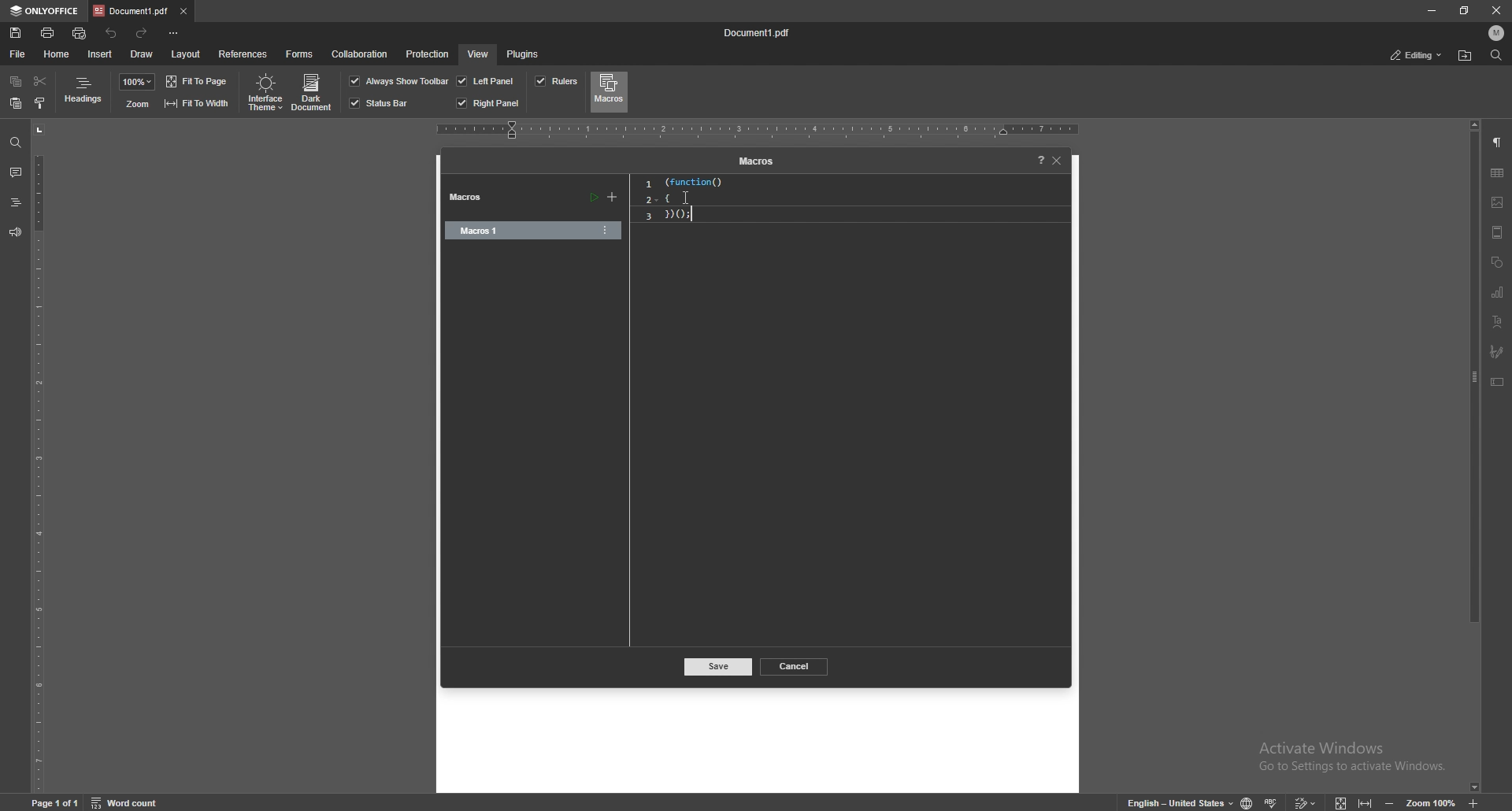 The height and width of the screenshot is (811, 1512). What do you see at coordinates (719, 668) in the screenshot?
I see `save` at bounding box center [719, 668].